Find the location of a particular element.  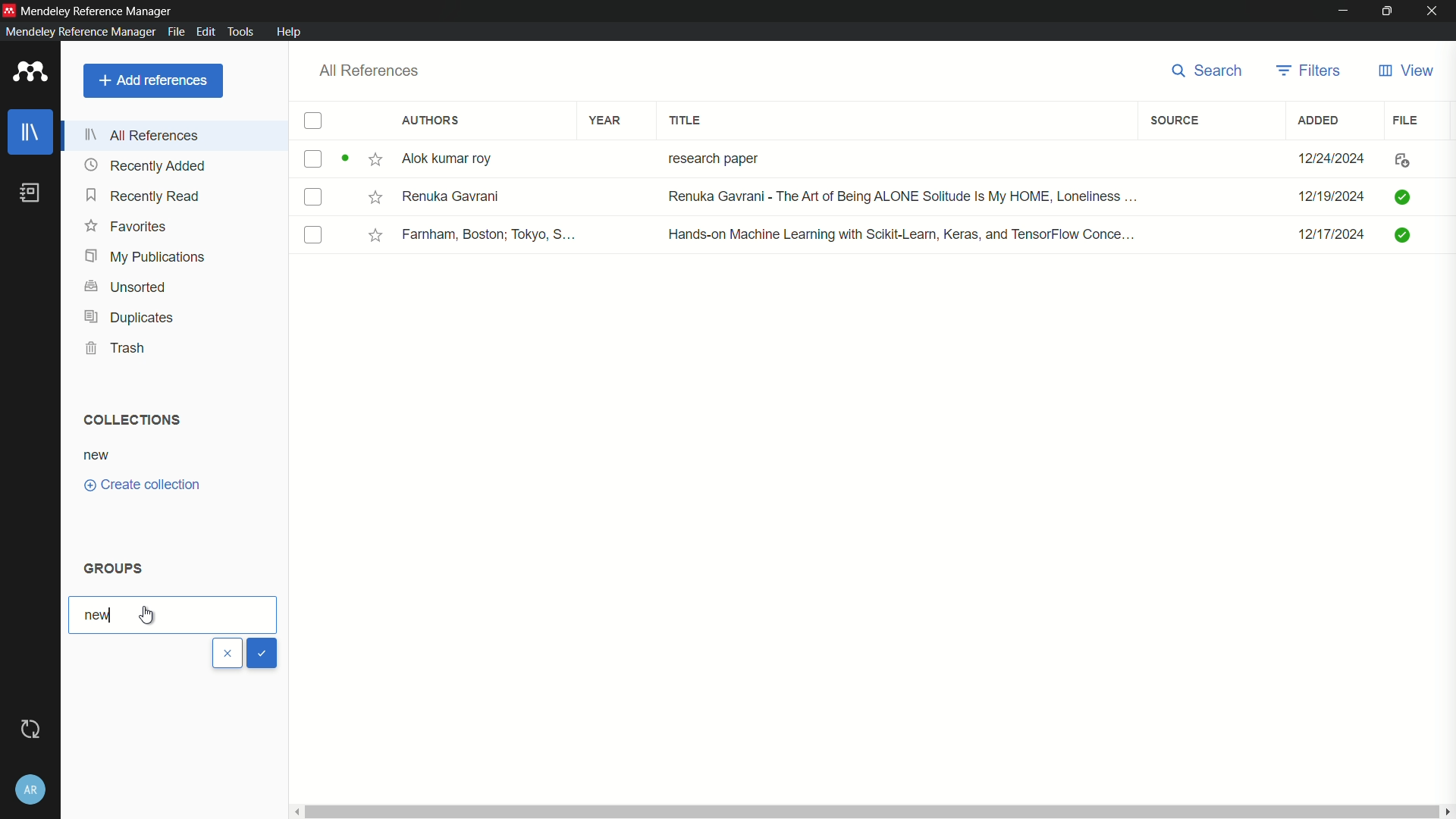

maximize is located at coordinates (1388, 11).